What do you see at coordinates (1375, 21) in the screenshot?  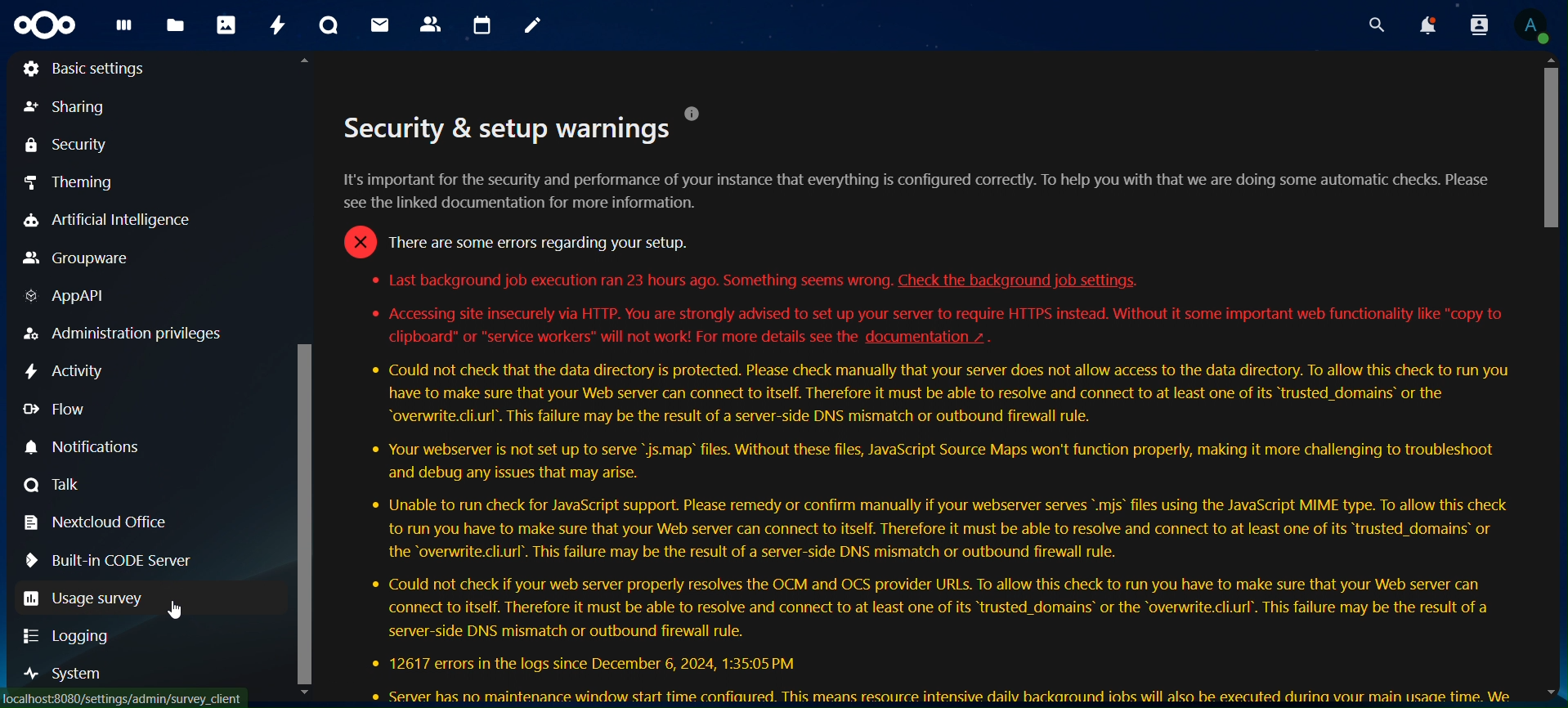 I see `search` at bounding box center [1375, 21].